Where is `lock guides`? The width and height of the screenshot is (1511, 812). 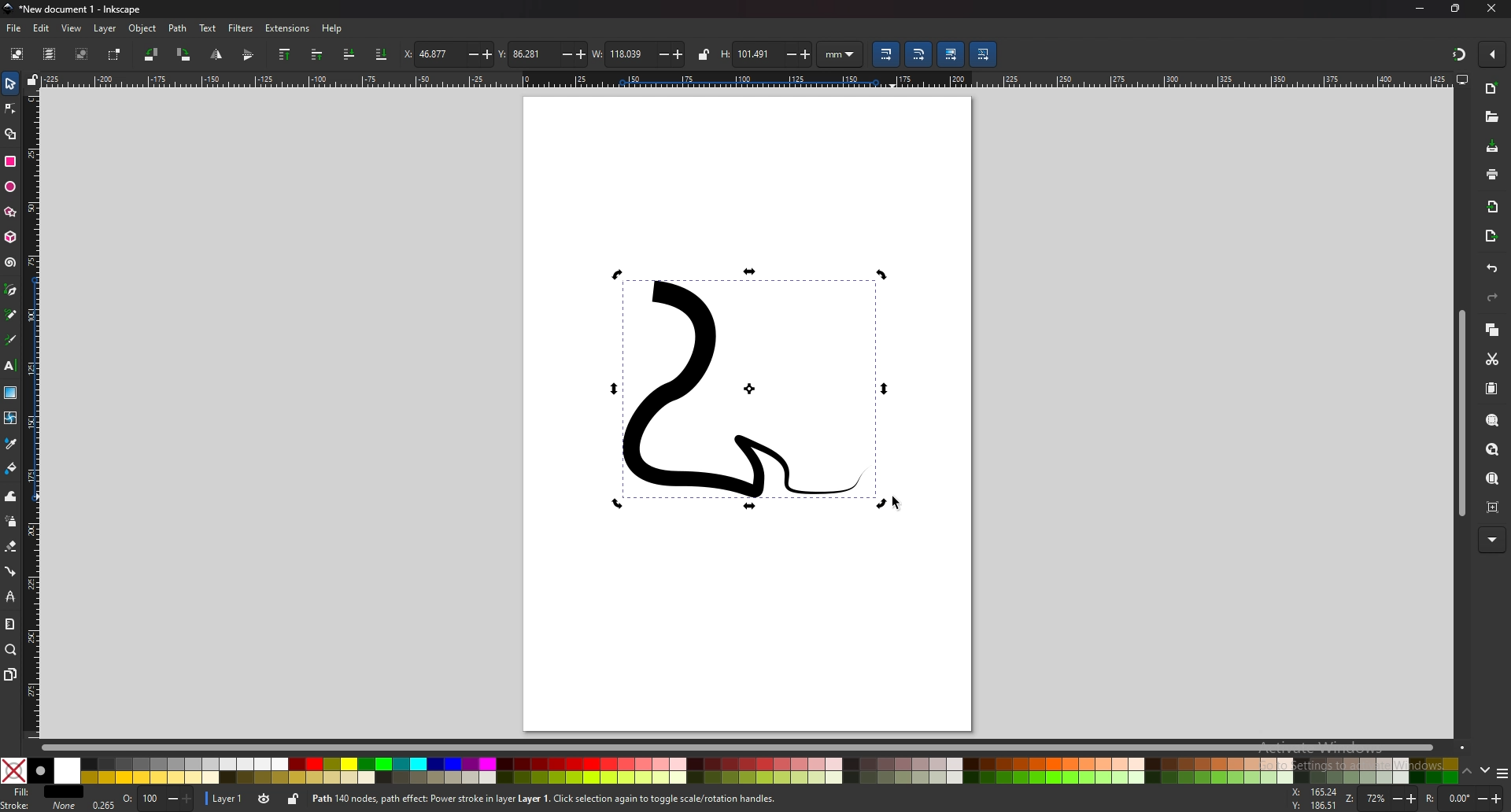 lock guides is located at coordinates (32, 80).